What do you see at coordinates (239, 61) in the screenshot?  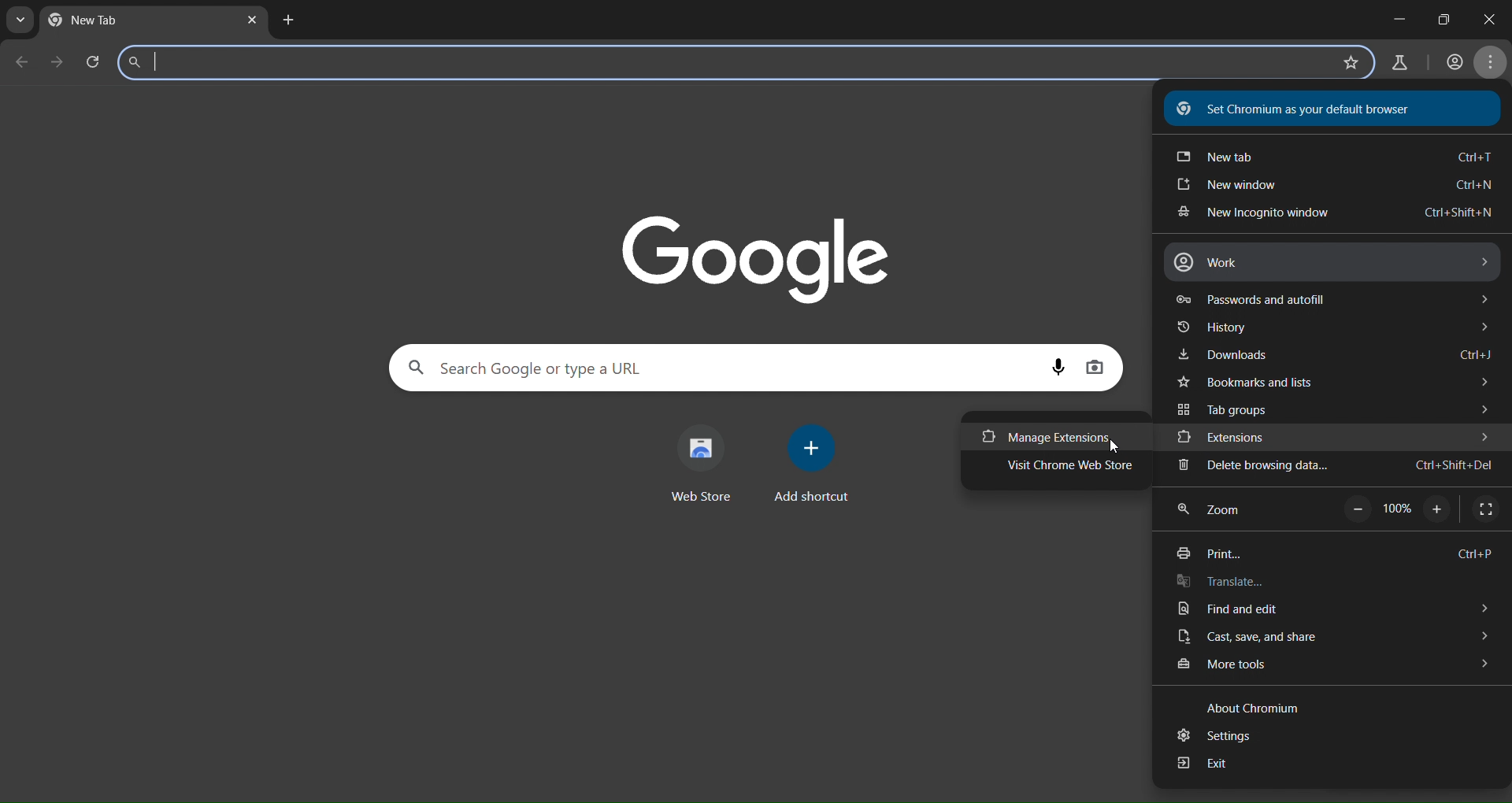 I see `search panel` at bounding box center [239, 61].